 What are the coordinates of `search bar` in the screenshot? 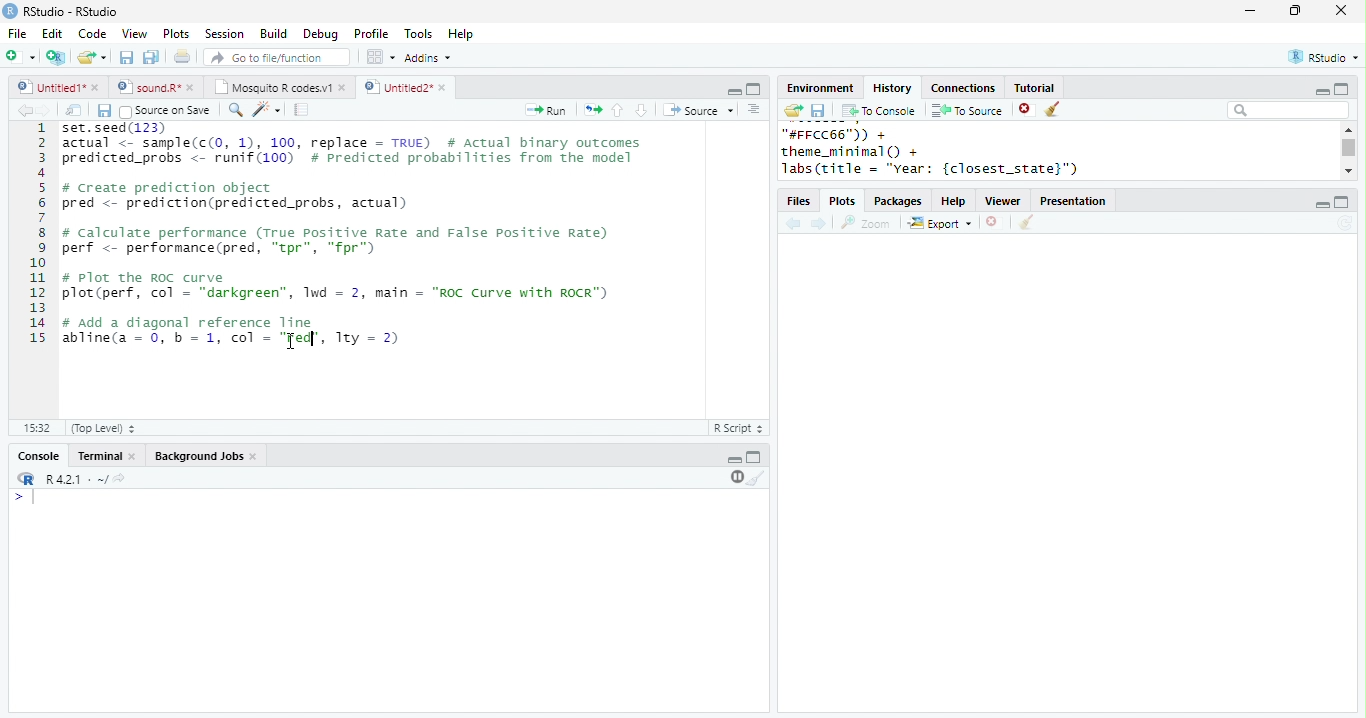 It's located at (1288, 109).